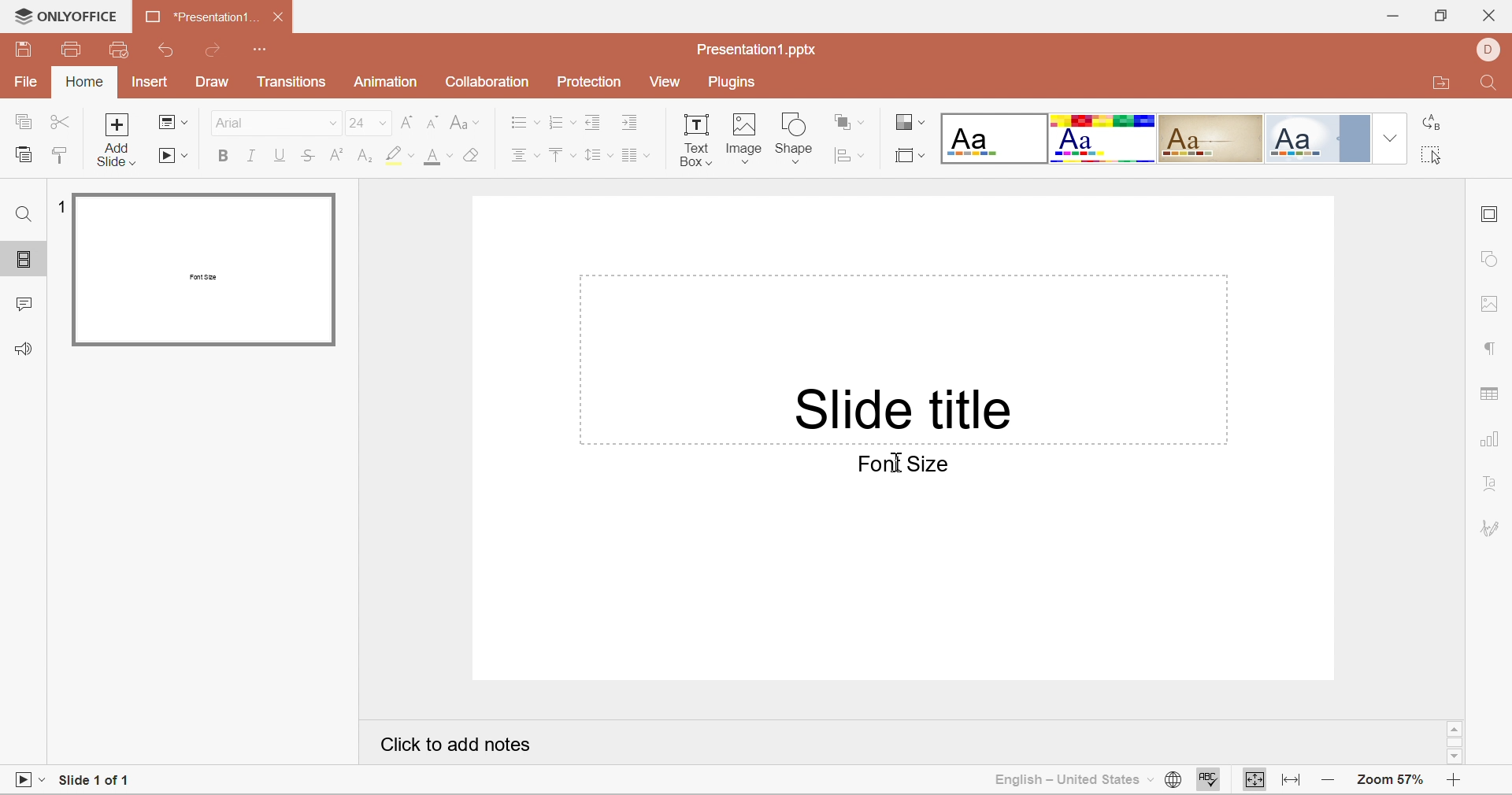 This screenshot has height=795, width=1512. I want to click on Transitions, so click(292, 85).